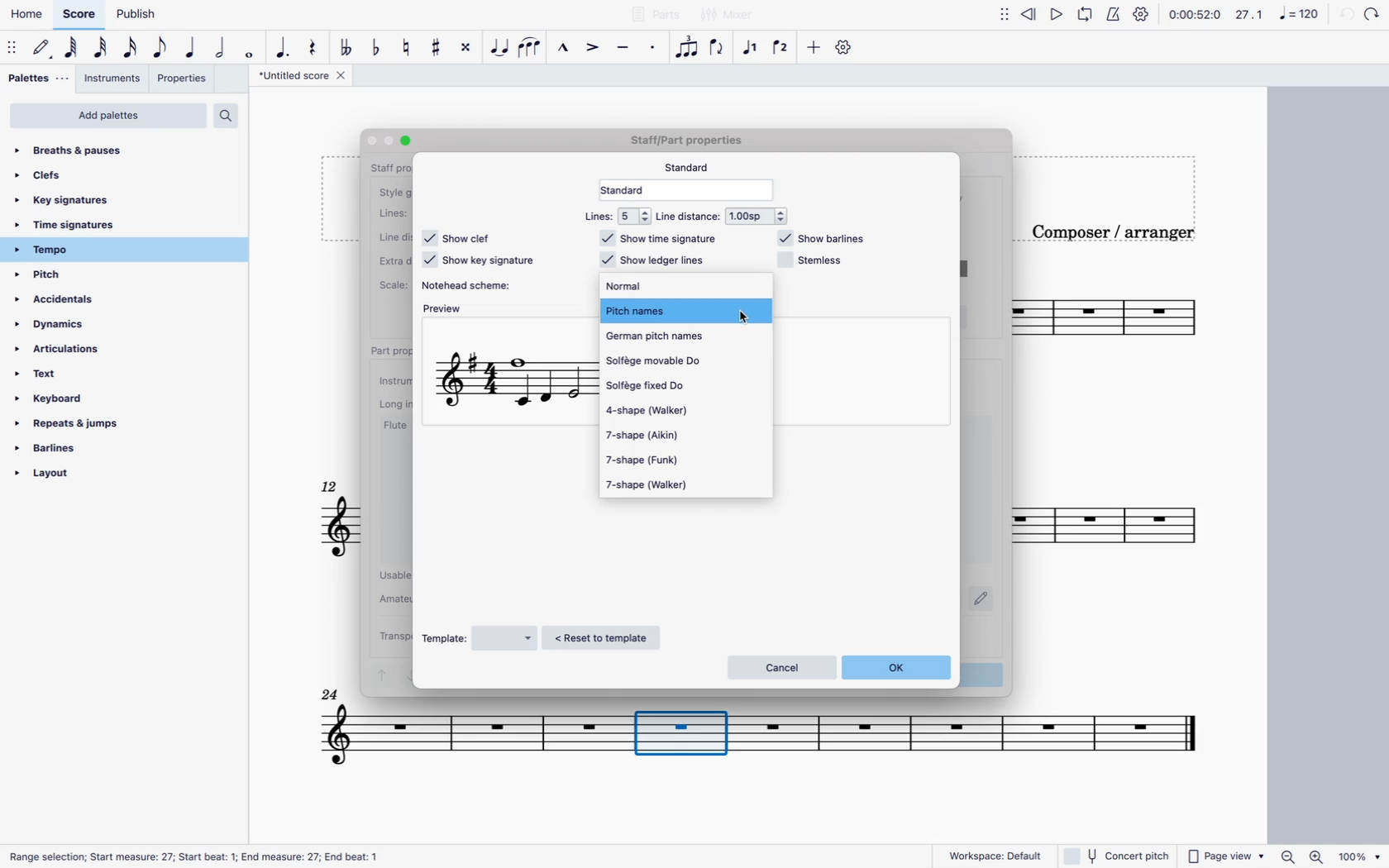  Describe the element at coordinates (766, 742) in the screenshot. I see `score` at that location.